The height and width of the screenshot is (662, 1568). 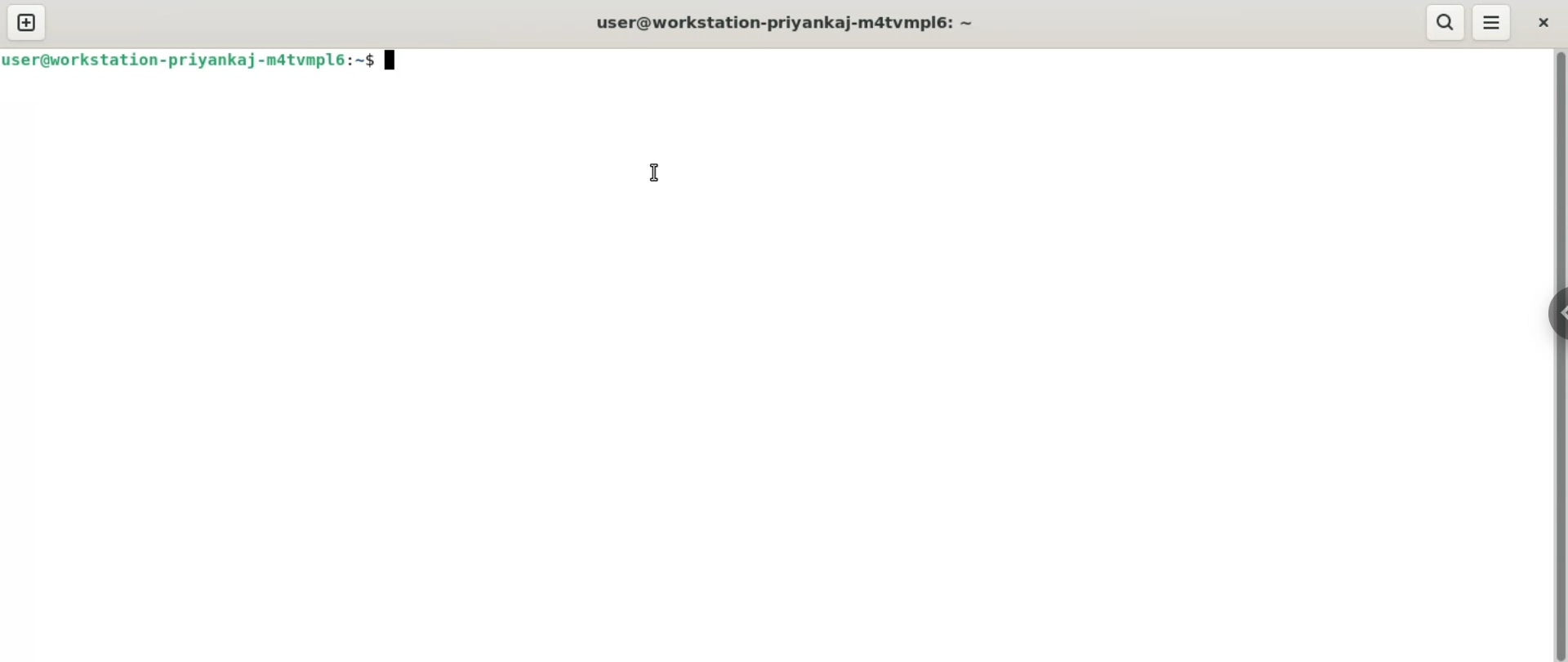 What do you see at coordinates (1558, 356) in the screenshot?
I see `vertical scroll bar` at bounding box center [1558, 356].